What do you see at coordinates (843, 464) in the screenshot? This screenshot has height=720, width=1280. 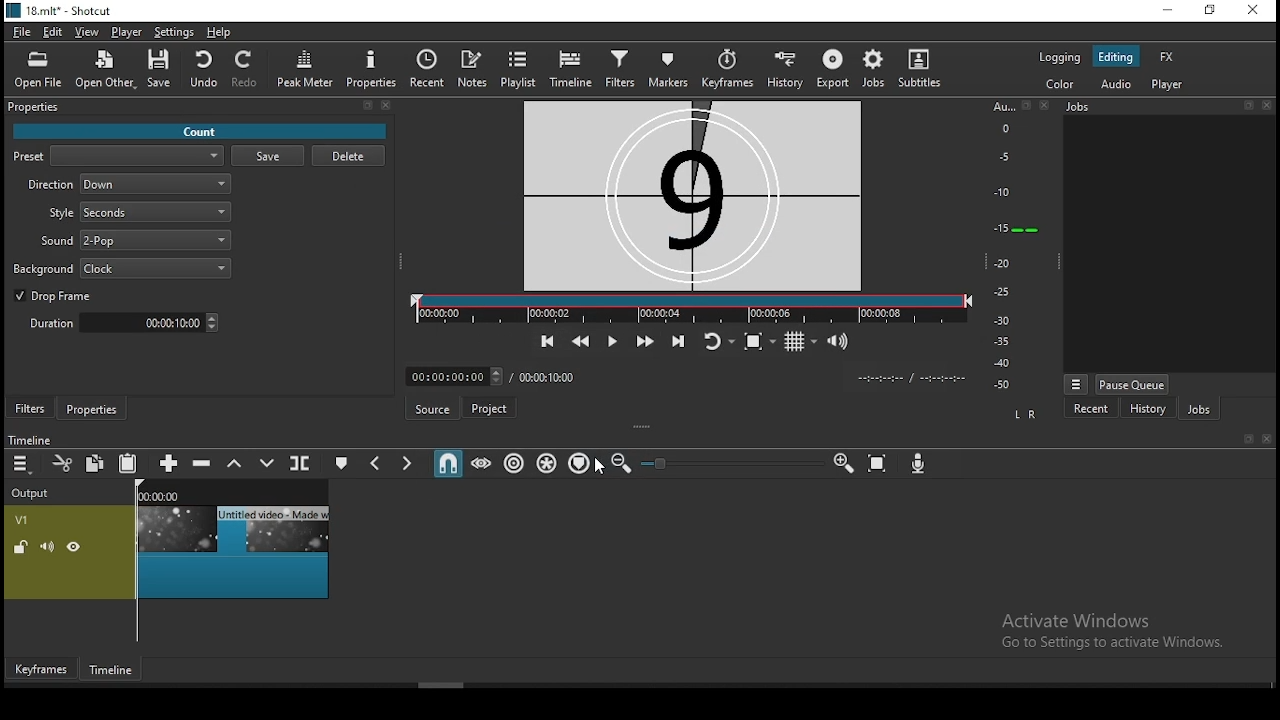 I see `zoom timeline in` at bounding box center [843, 464].